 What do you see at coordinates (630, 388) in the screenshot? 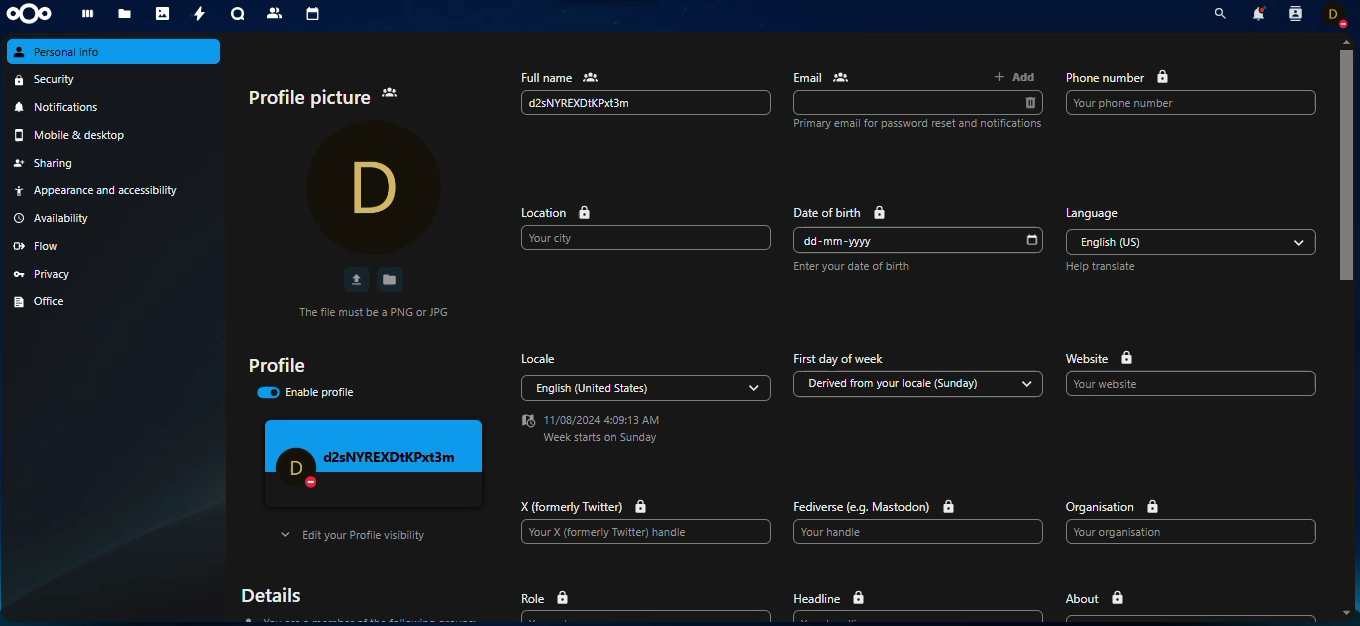
I see `English (United States)` at bounding box center [630, 388].